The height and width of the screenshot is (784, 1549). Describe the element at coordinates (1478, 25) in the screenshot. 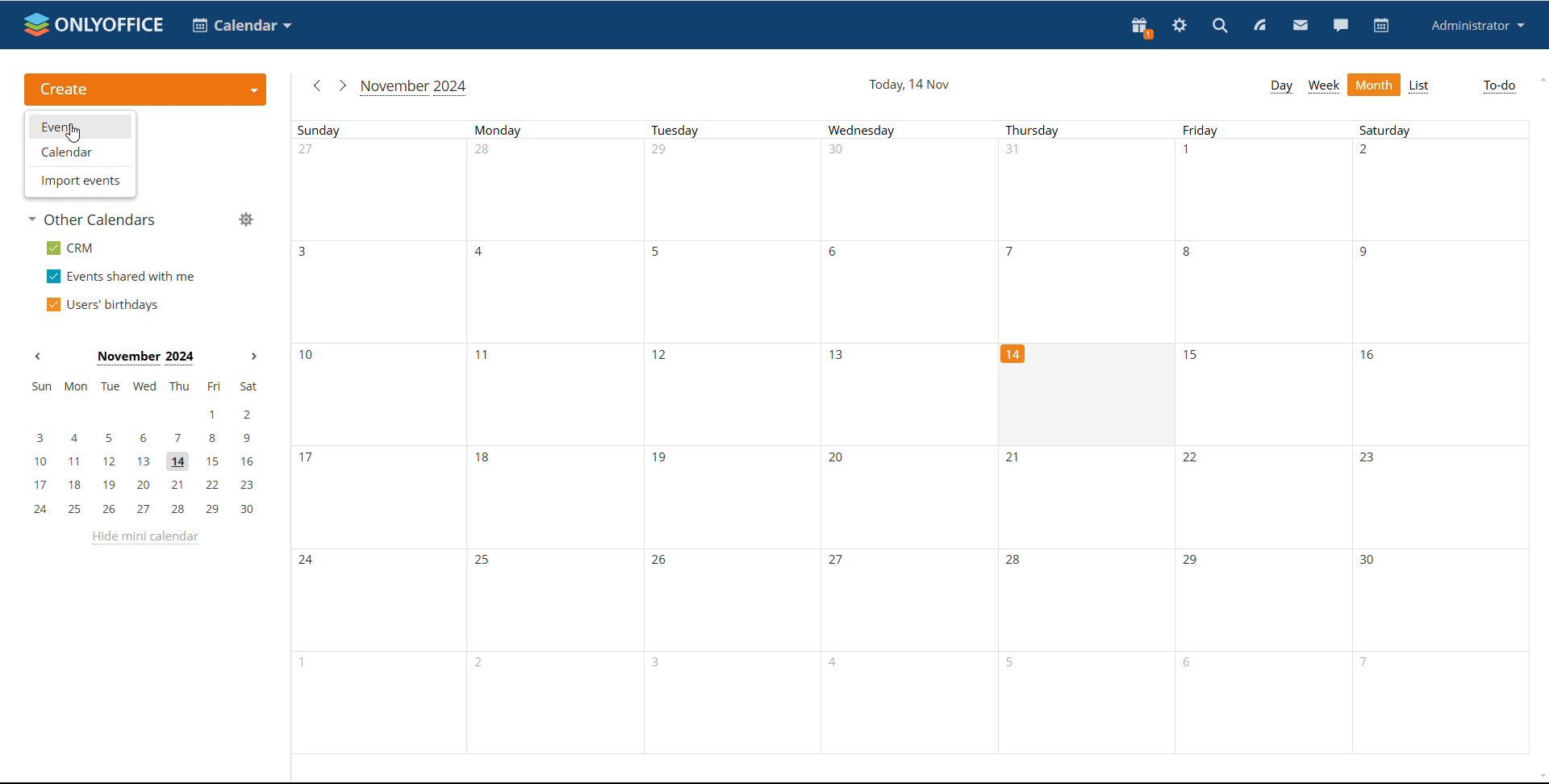

I see `profile` at that location.